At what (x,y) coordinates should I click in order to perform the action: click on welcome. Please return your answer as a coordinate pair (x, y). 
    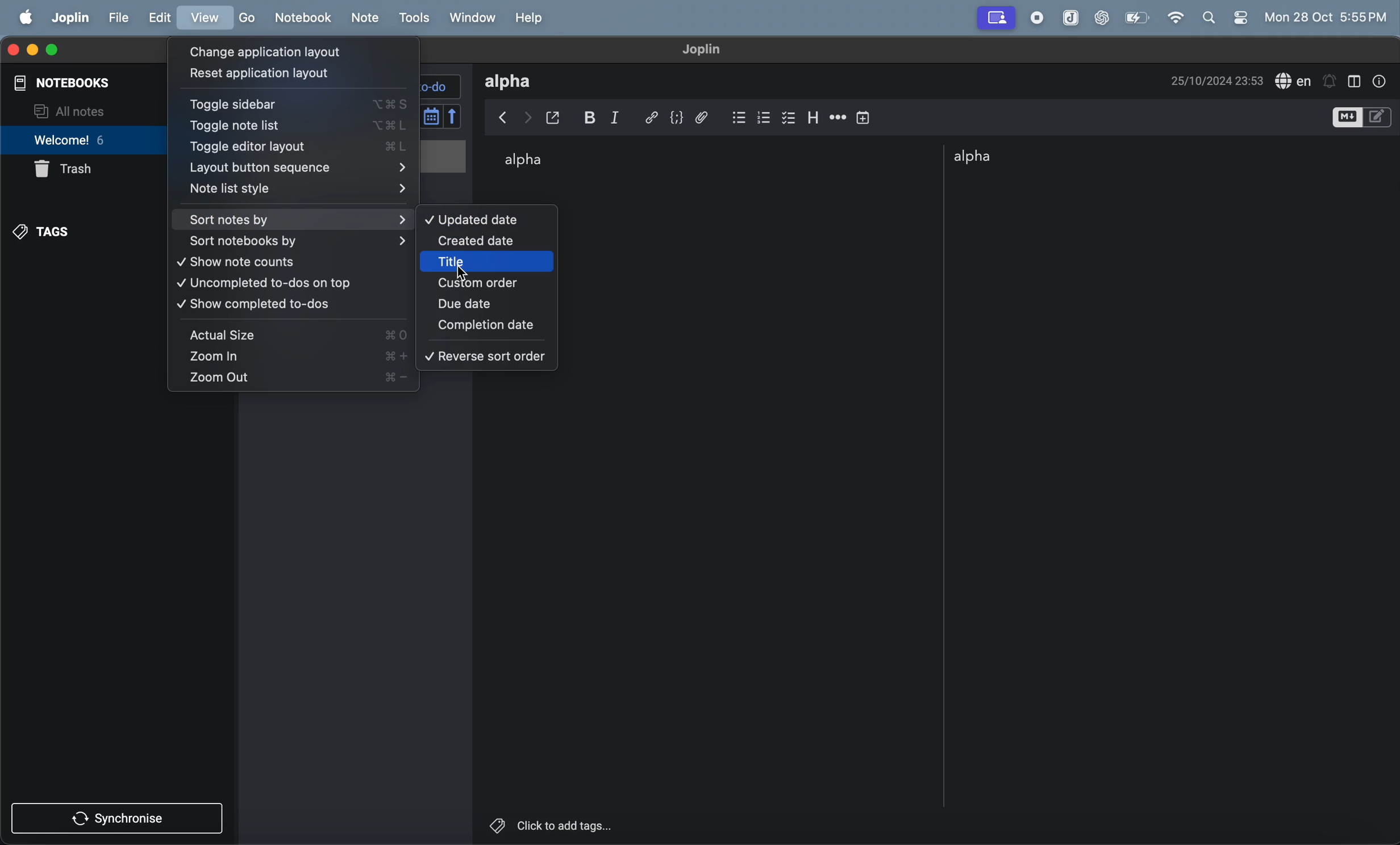
    Looking at the image, I should click on (95, 141).